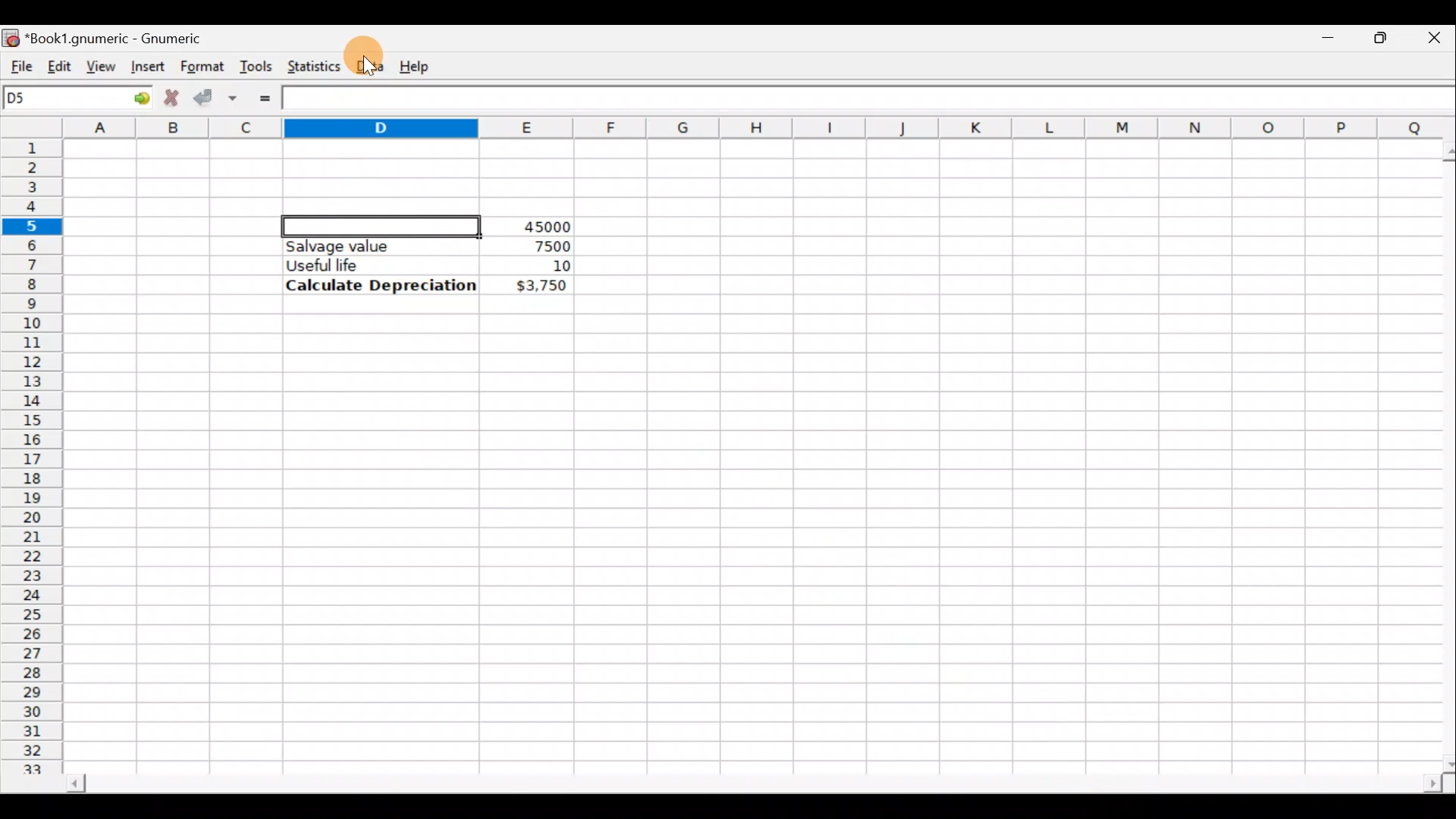 Image resolution: width=1456 pixels, height=819 pixels. I want to click on Cell name D5, so click(59, 99).